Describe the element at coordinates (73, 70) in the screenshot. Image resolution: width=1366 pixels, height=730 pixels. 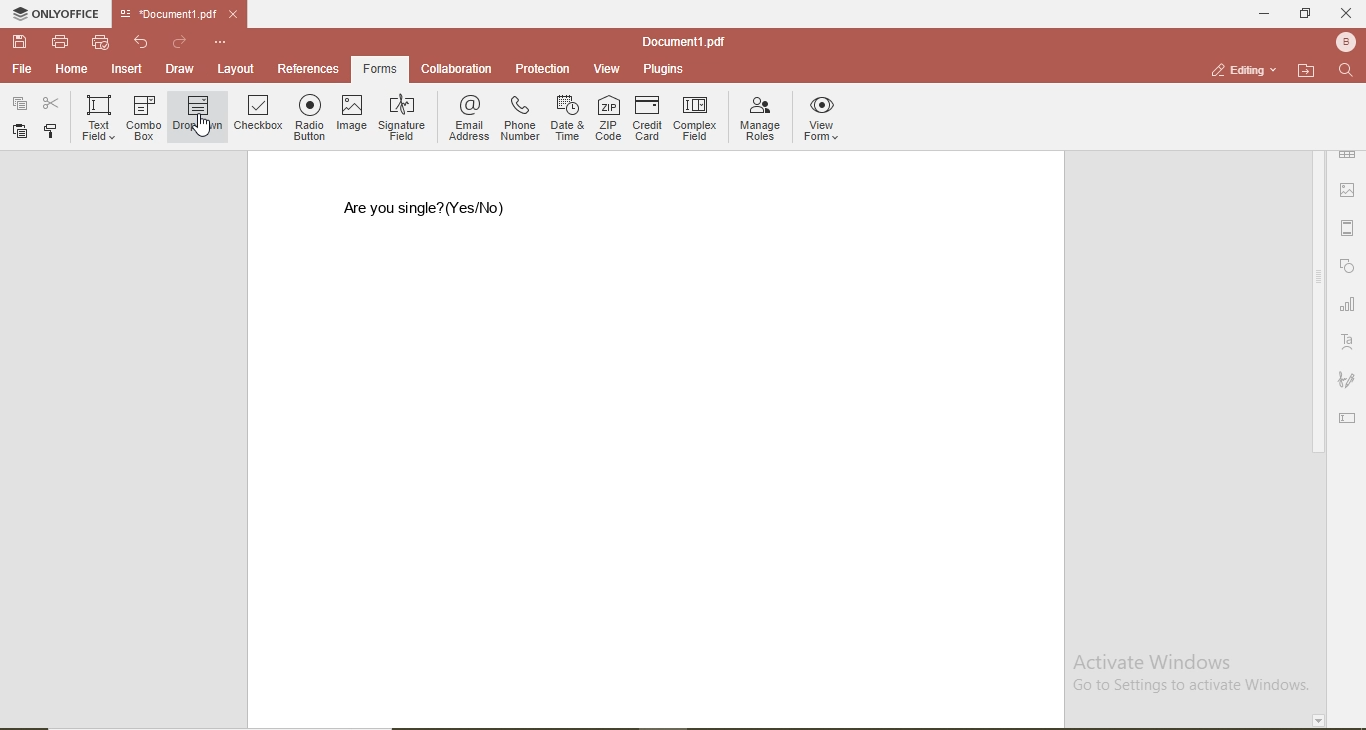
I see `home` at that location.